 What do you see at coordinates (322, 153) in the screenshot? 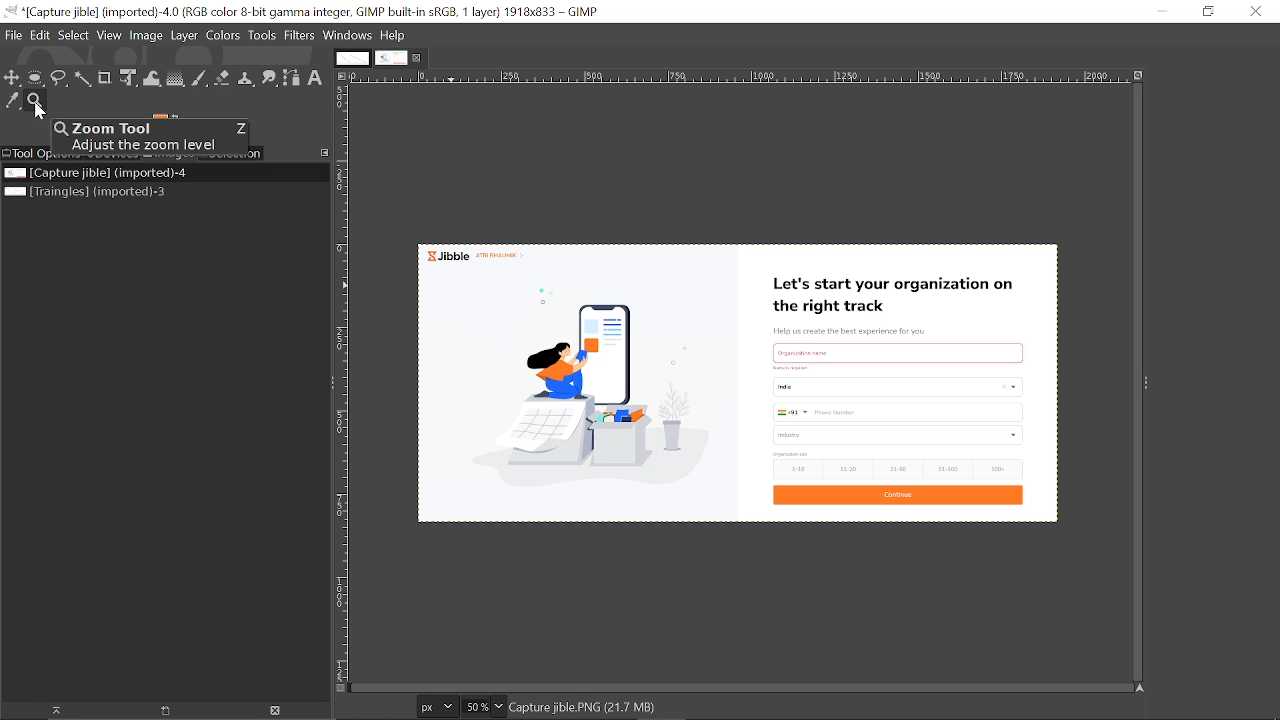
I see `Configure this tab` at bounding box center [322, 153].